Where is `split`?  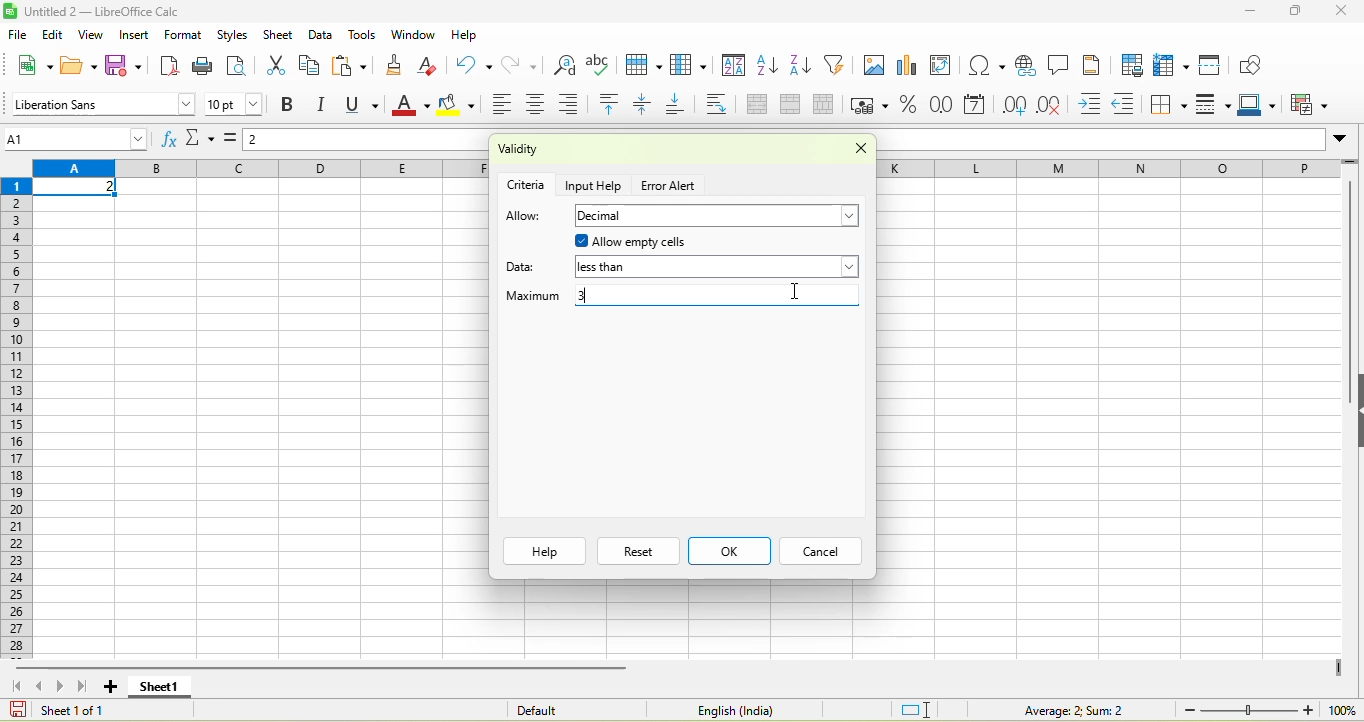 split is located at coordinates (828, 105).